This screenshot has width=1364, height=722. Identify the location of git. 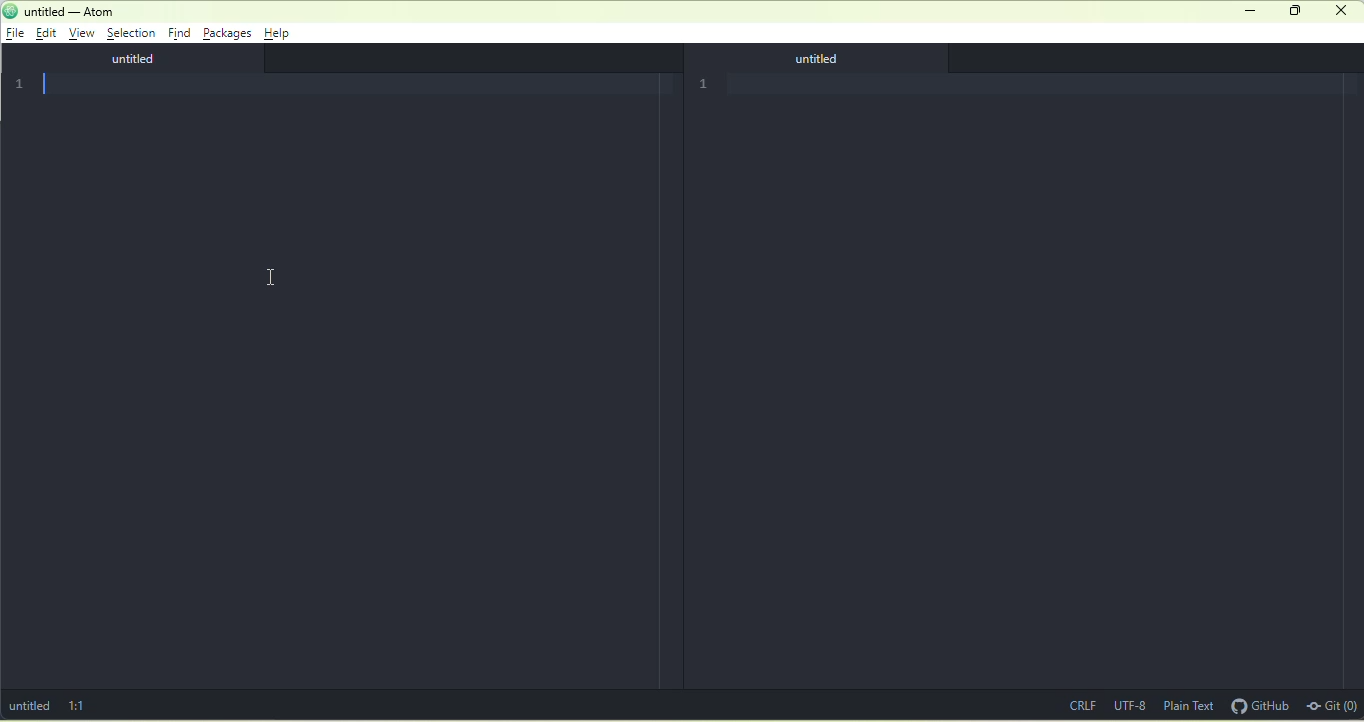
(1332, 705).